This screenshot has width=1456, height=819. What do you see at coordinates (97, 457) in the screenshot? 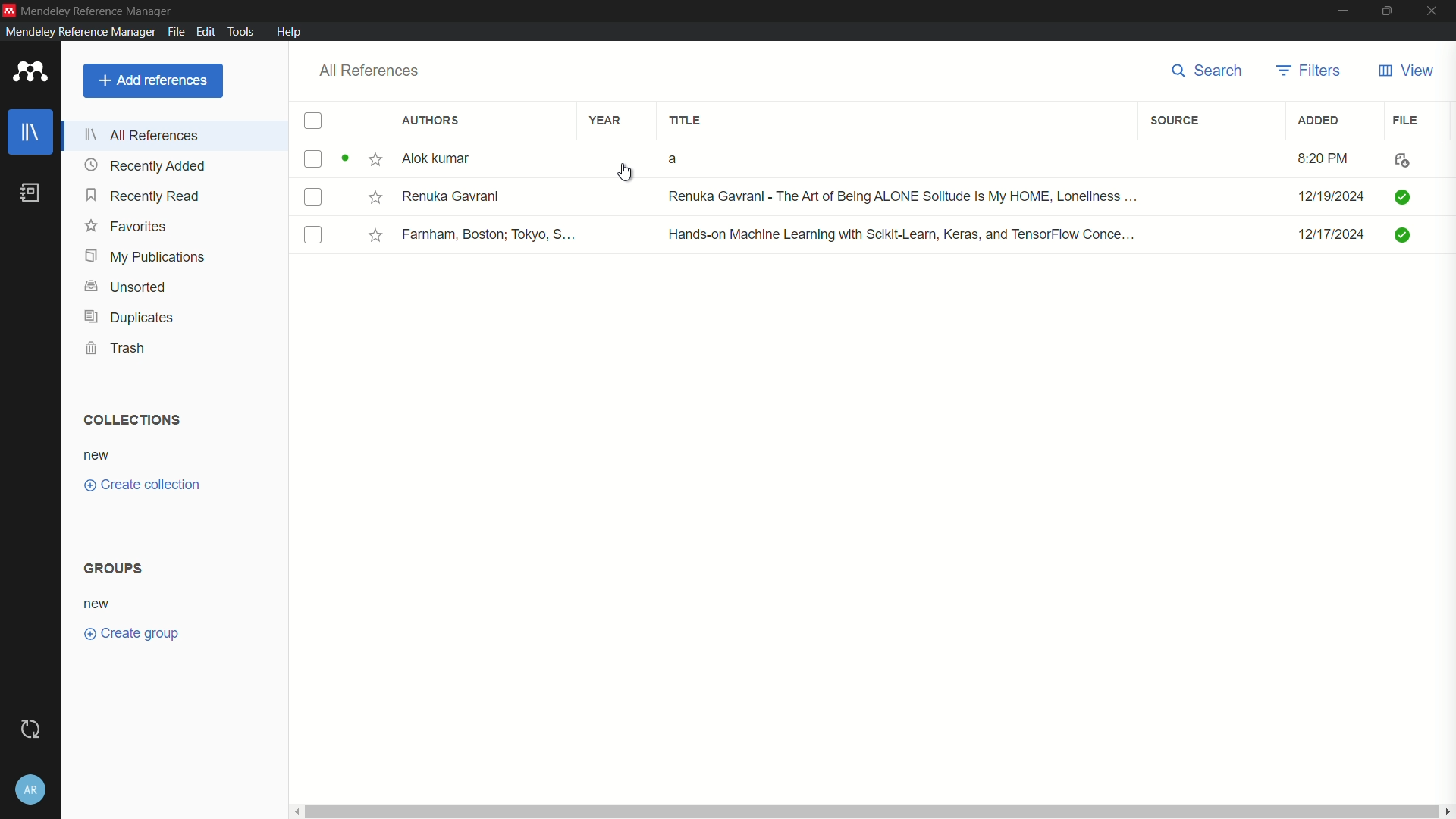
I see `new` at bounding box center [97, 457].